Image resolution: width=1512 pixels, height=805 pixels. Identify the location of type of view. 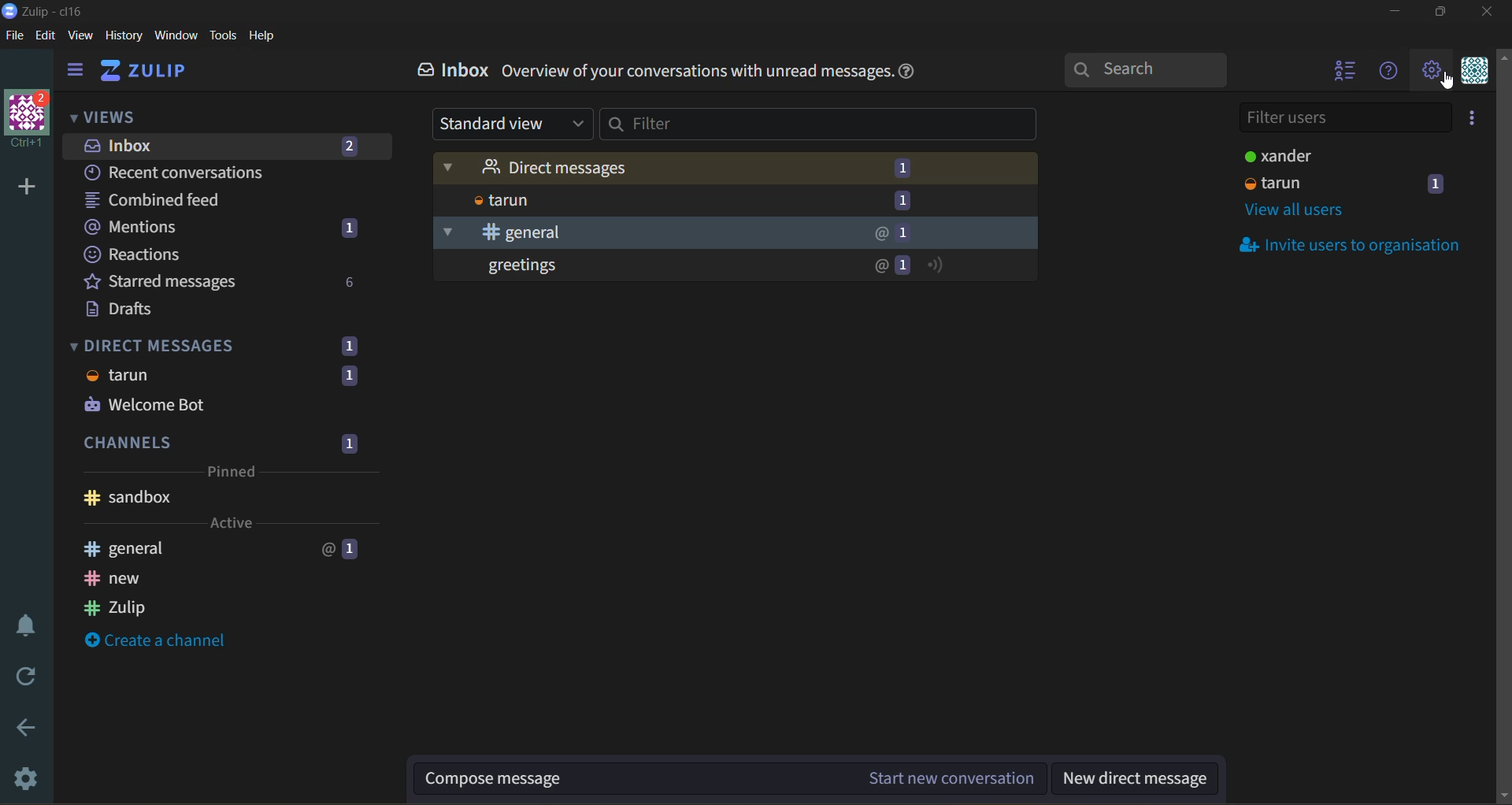
(515, 124).